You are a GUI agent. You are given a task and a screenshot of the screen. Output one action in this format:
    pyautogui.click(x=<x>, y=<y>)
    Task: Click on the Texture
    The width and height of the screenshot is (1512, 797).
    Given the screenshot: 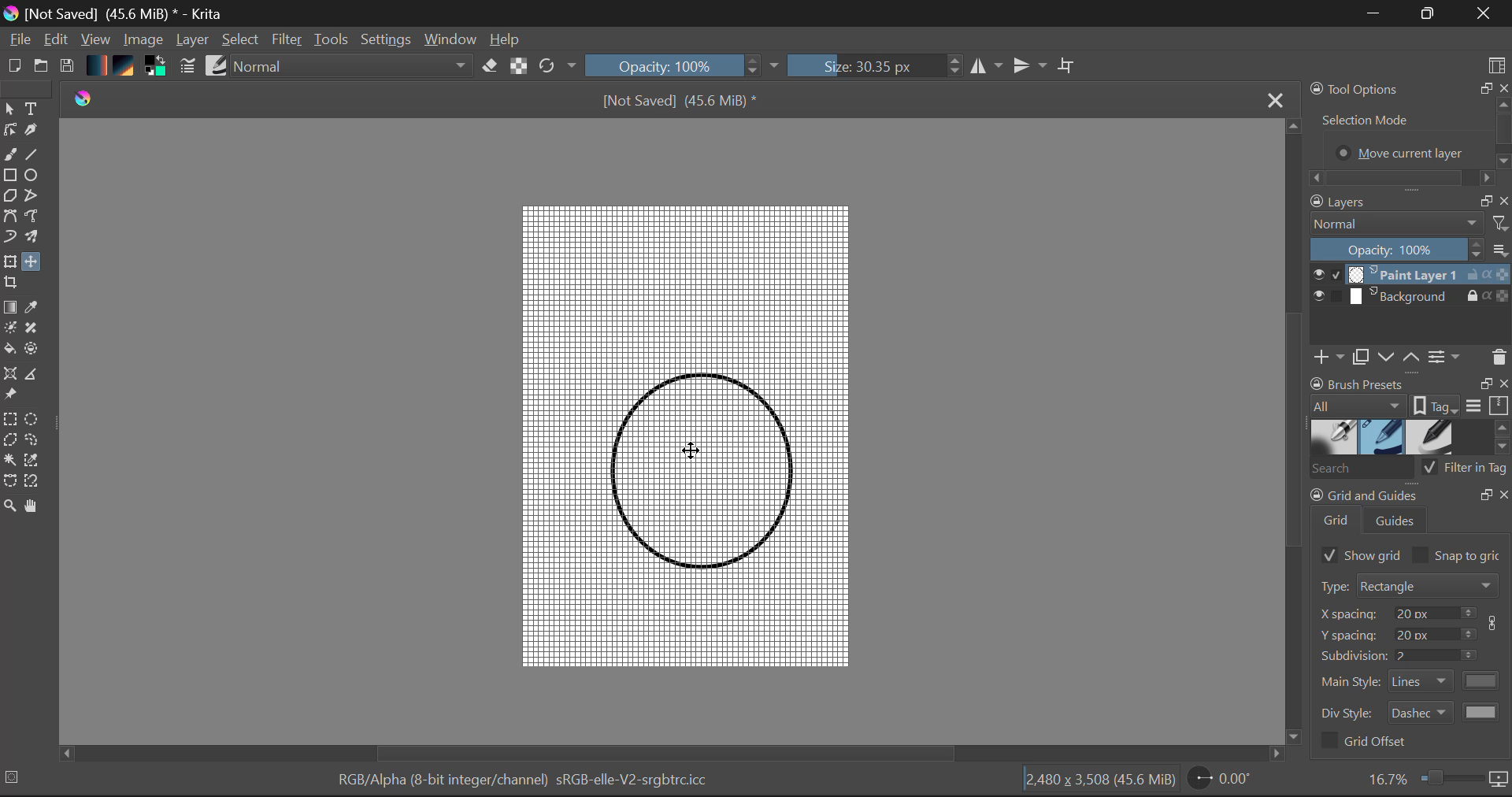 What is the action you would take?
    pyautogui.click(x=128, y=68)
    